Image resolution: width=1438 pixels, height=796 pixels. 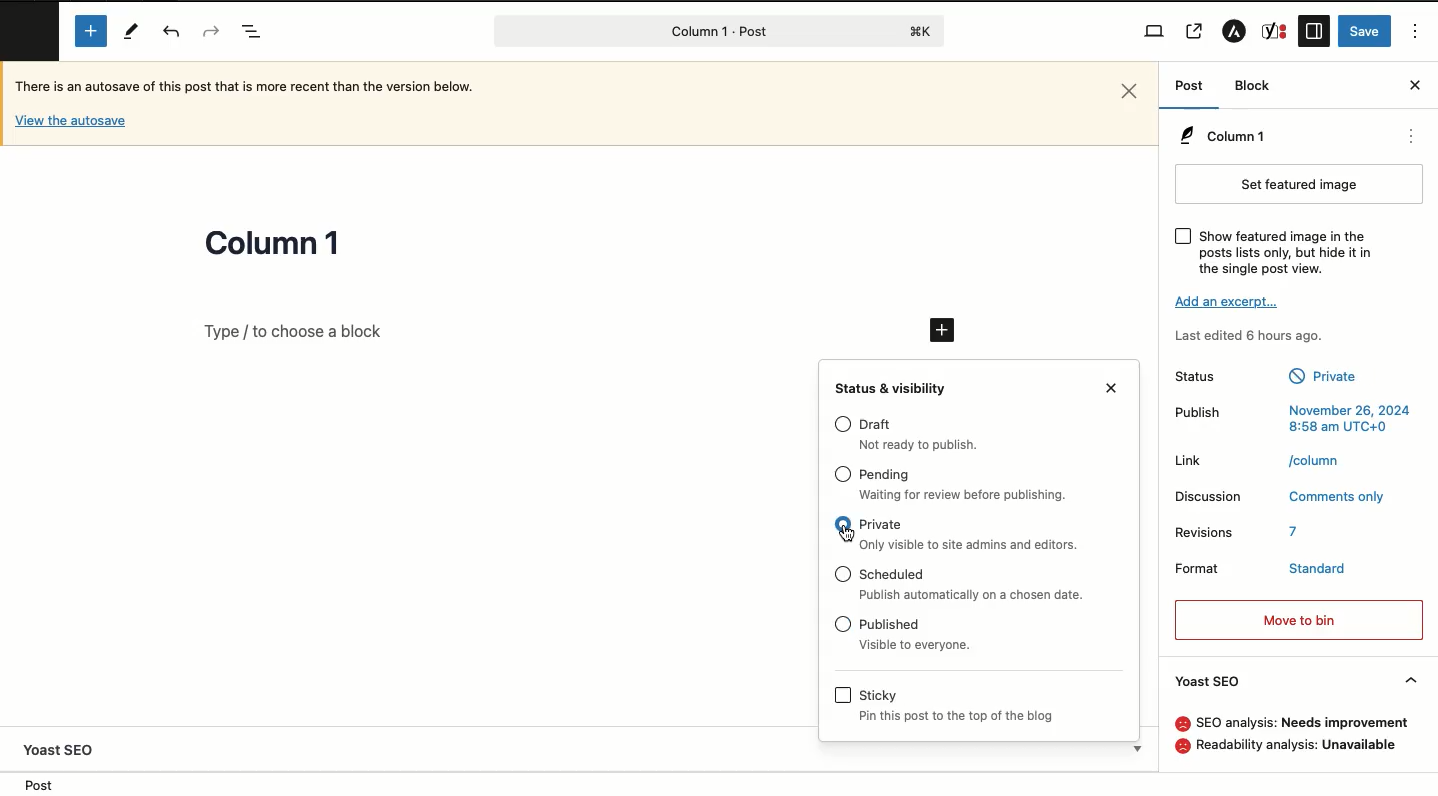 I want to click on Sticky, so click(x=967, y=786).